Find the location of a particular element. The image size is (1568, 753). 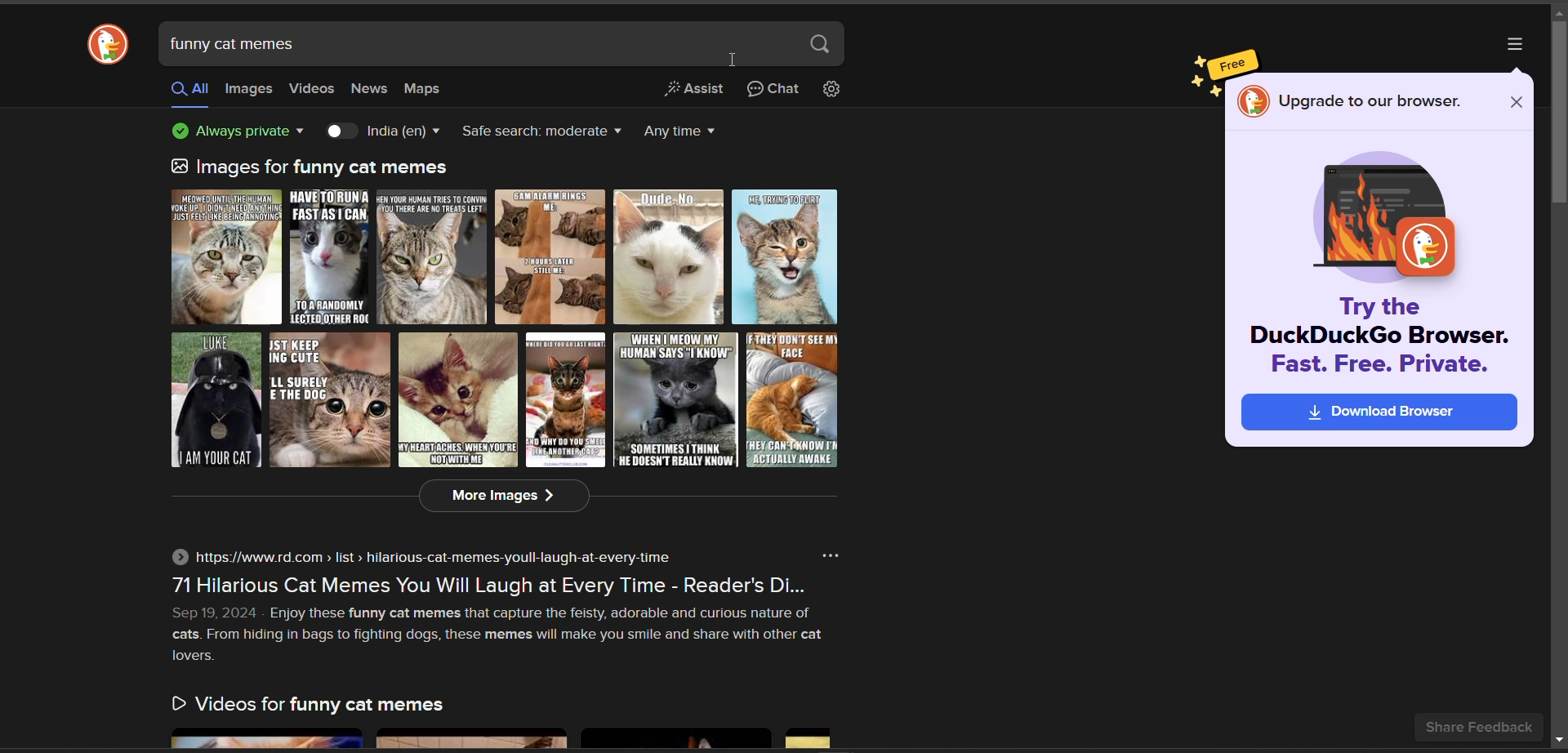

country toggle key is located at coordinates (340, 133).